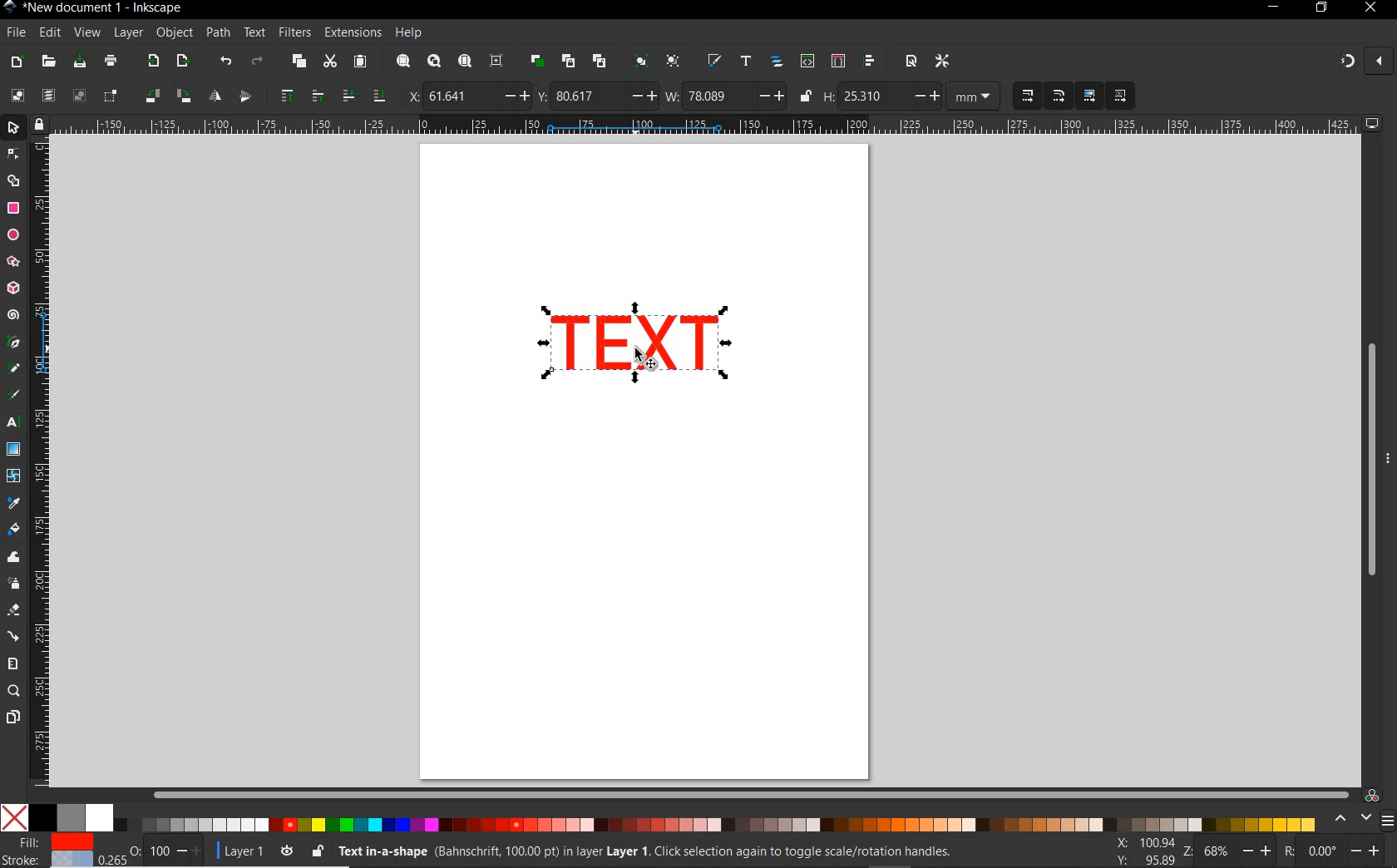 This screenshot has width=1397, height=868. What do you see at coordinates (13, 636) in the screenshot?
I see `connector tool` at bounding box center [13, 636].